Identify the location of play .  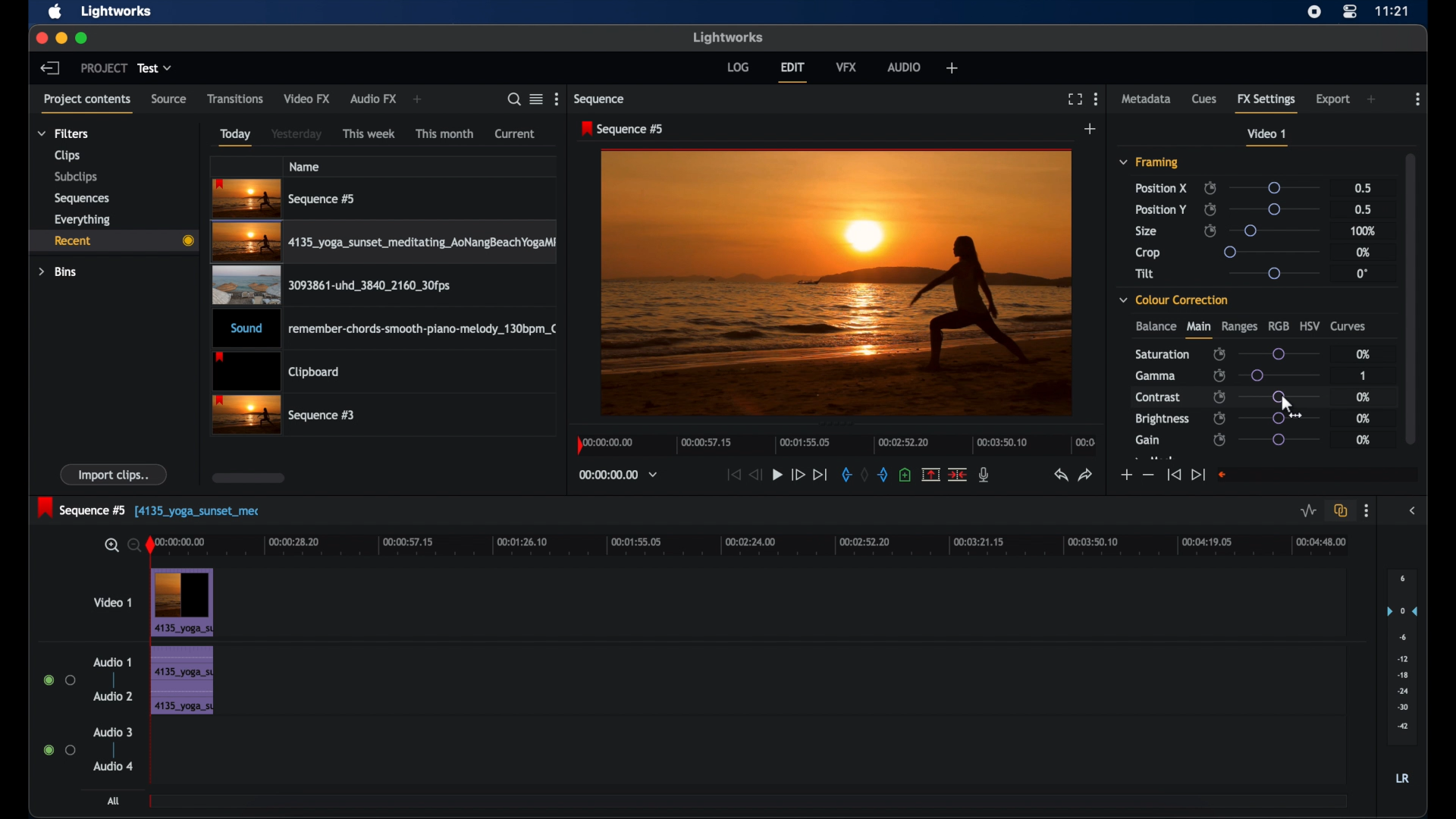
(777, 475).